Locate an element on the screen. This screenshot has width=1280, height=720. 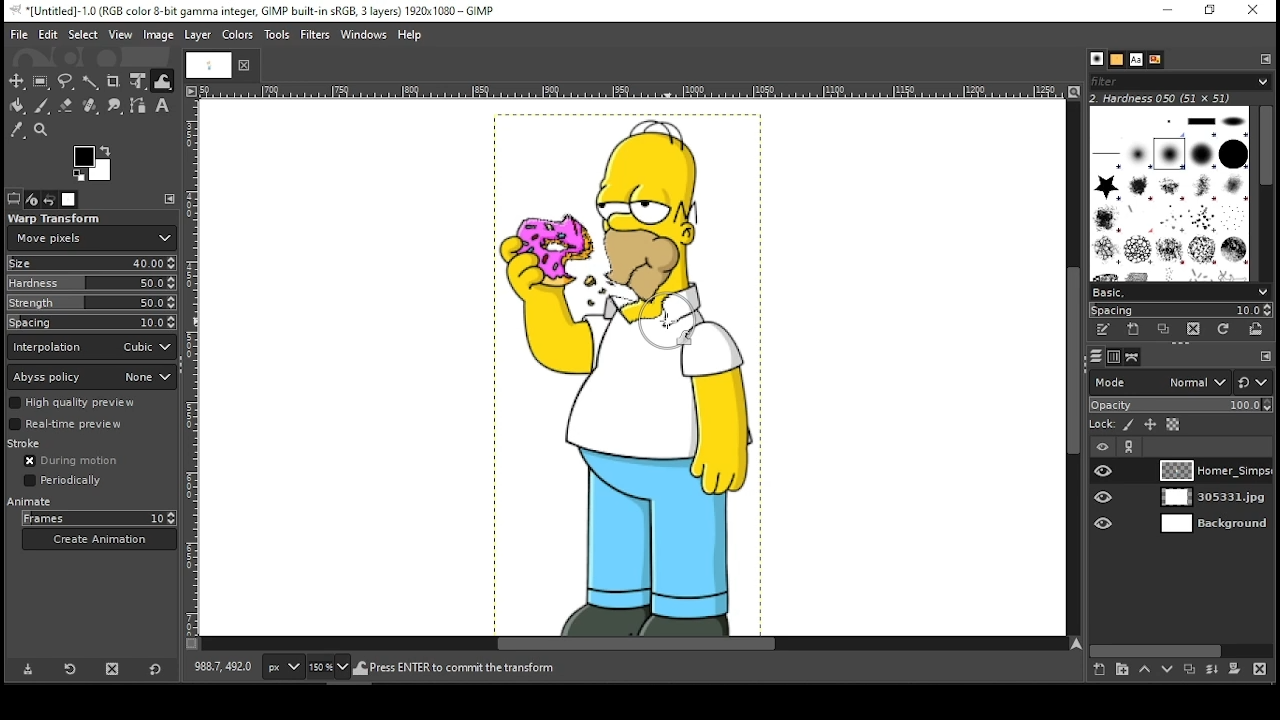
animate is located at coordinates (31, 504).